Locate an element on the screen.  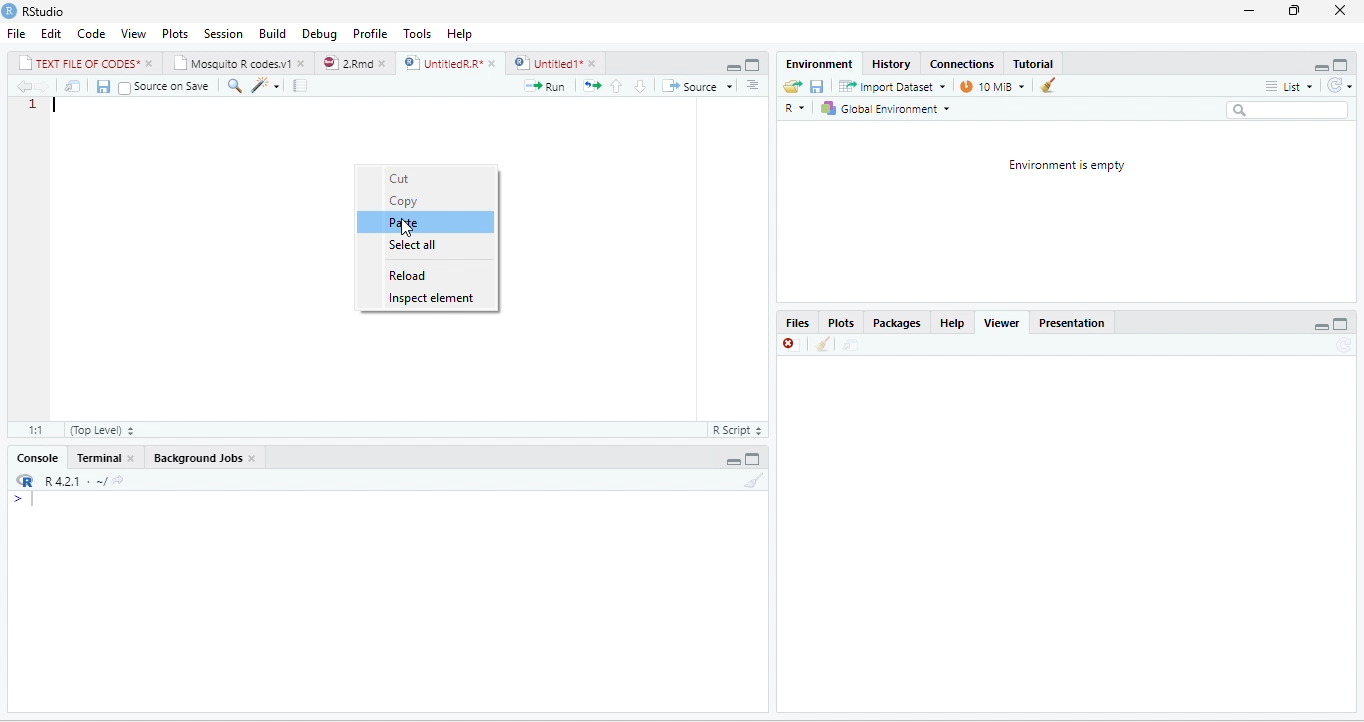
‘Connections is located at coordinates (961, 64).